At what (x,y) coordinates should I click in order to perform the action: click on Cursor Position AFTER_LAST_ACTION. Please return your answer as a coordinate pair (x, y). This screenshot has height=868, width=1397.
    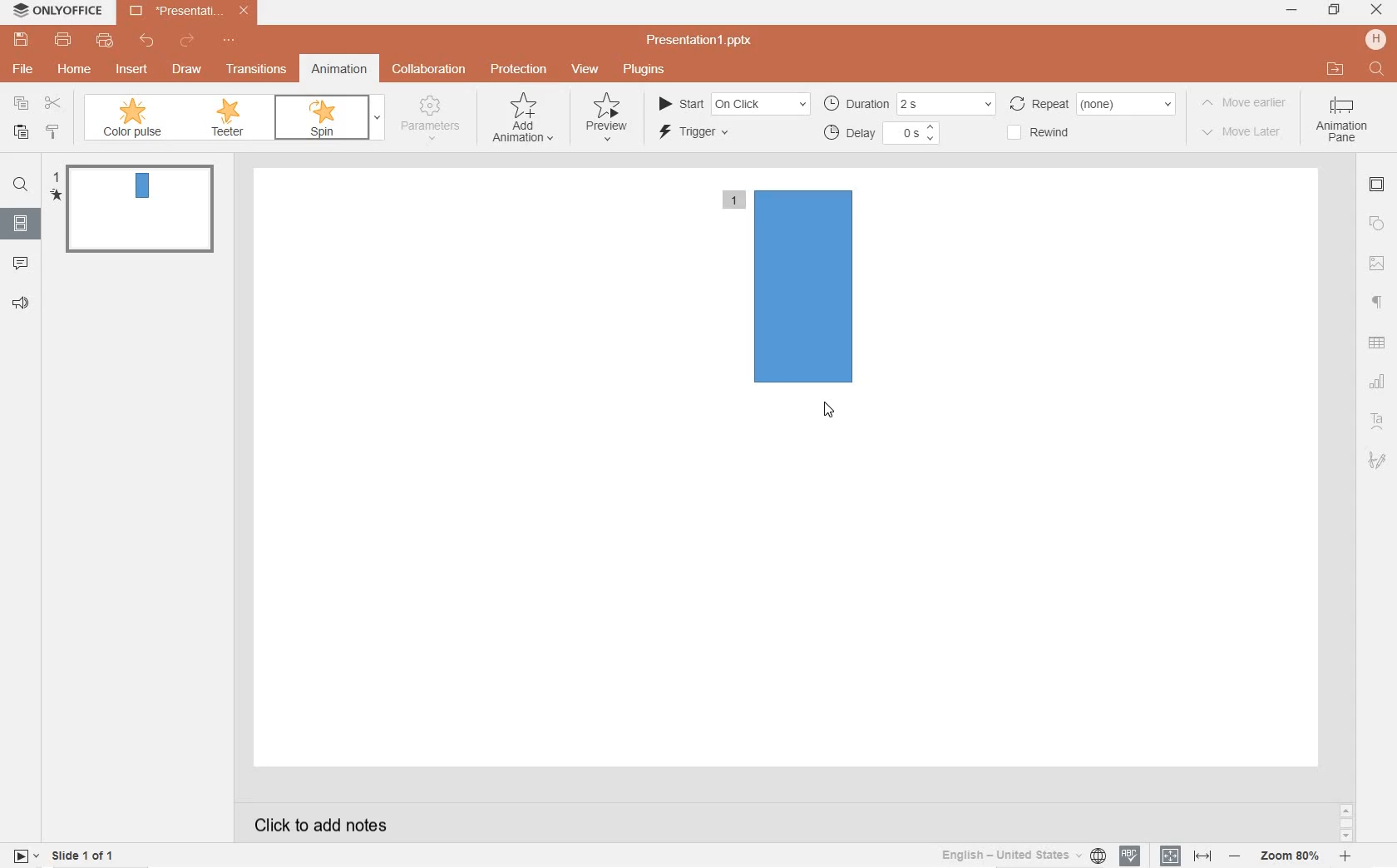
    Looking at the image, I should click on (829, 410).